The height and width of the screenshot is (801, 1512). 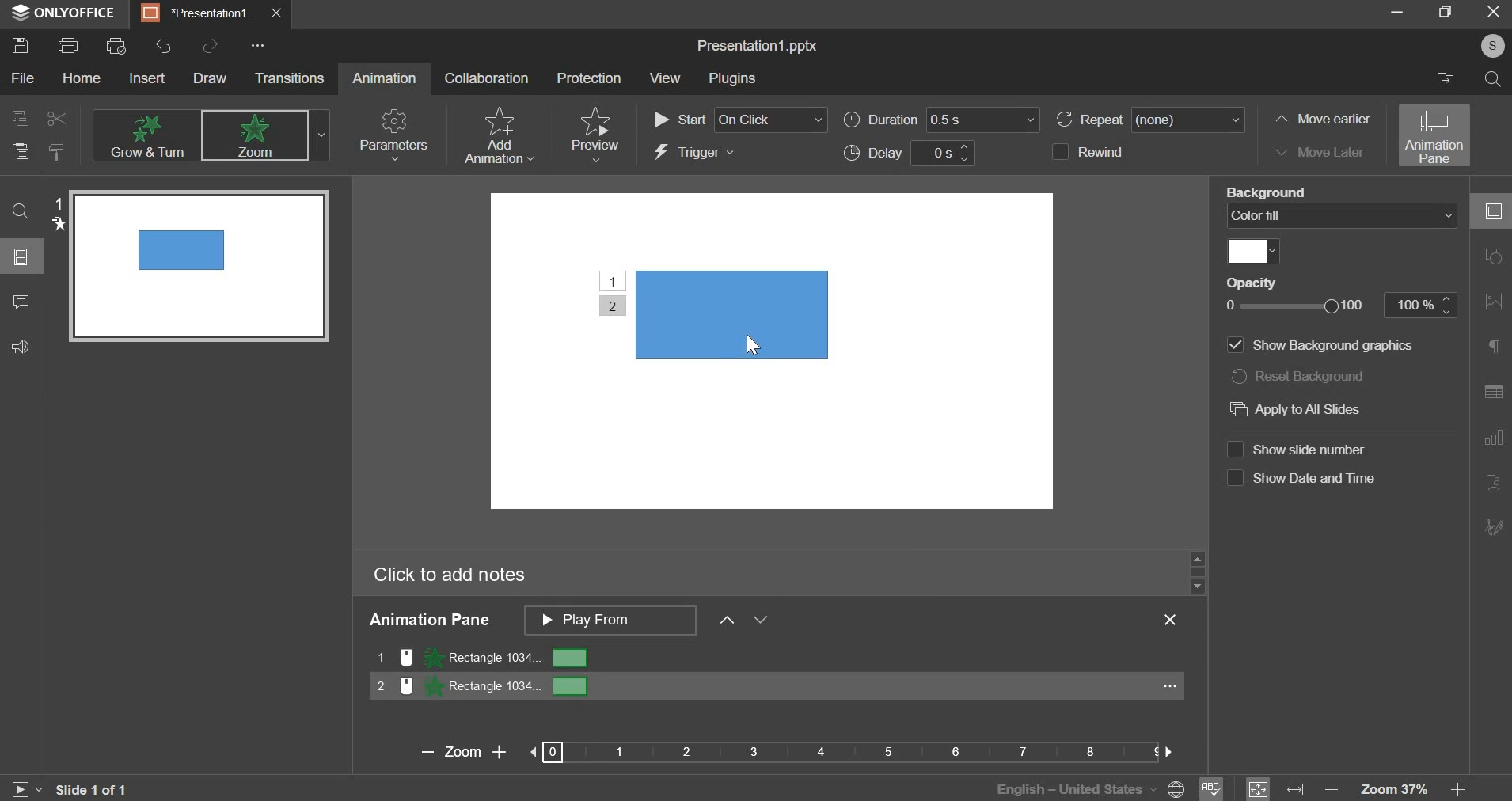 I want to click on file, so click(x=22, y=78).